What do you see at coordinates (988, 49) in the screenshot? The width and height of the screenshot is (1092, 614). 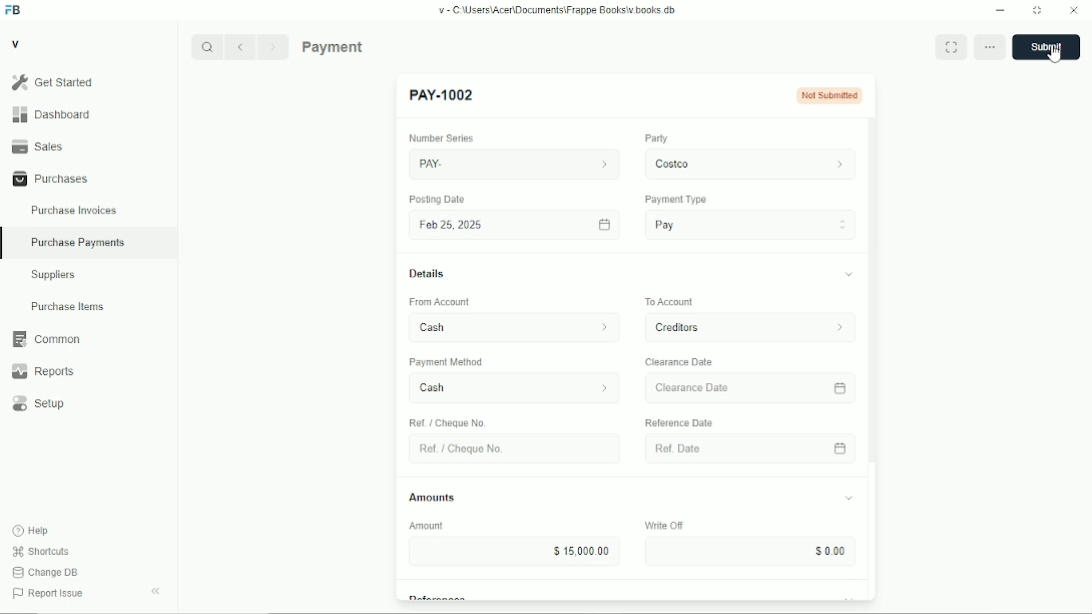 I see `option` at bounding box center [988, 49].